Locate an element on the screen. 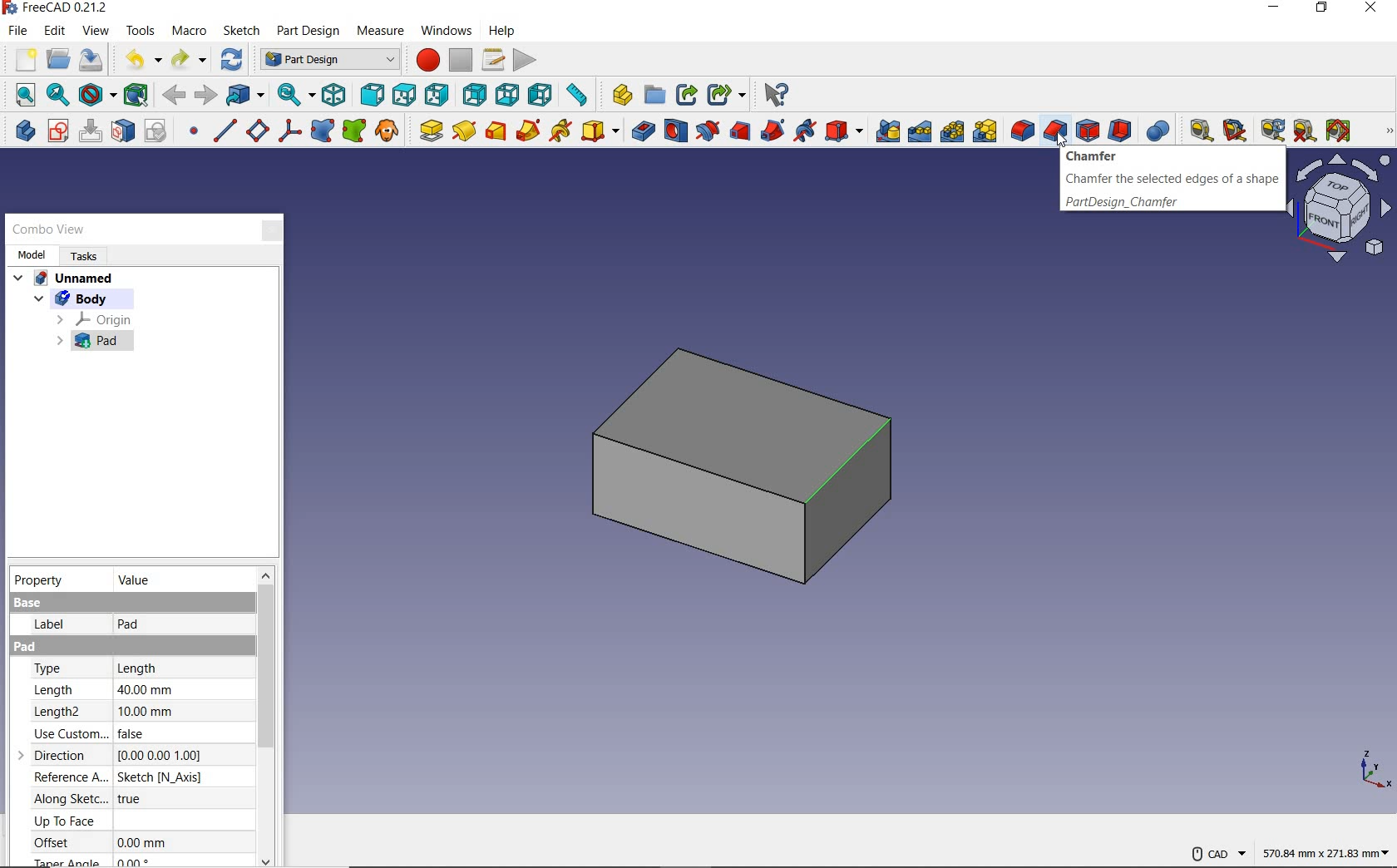  linear pattern is located at coordinates (921, 133).